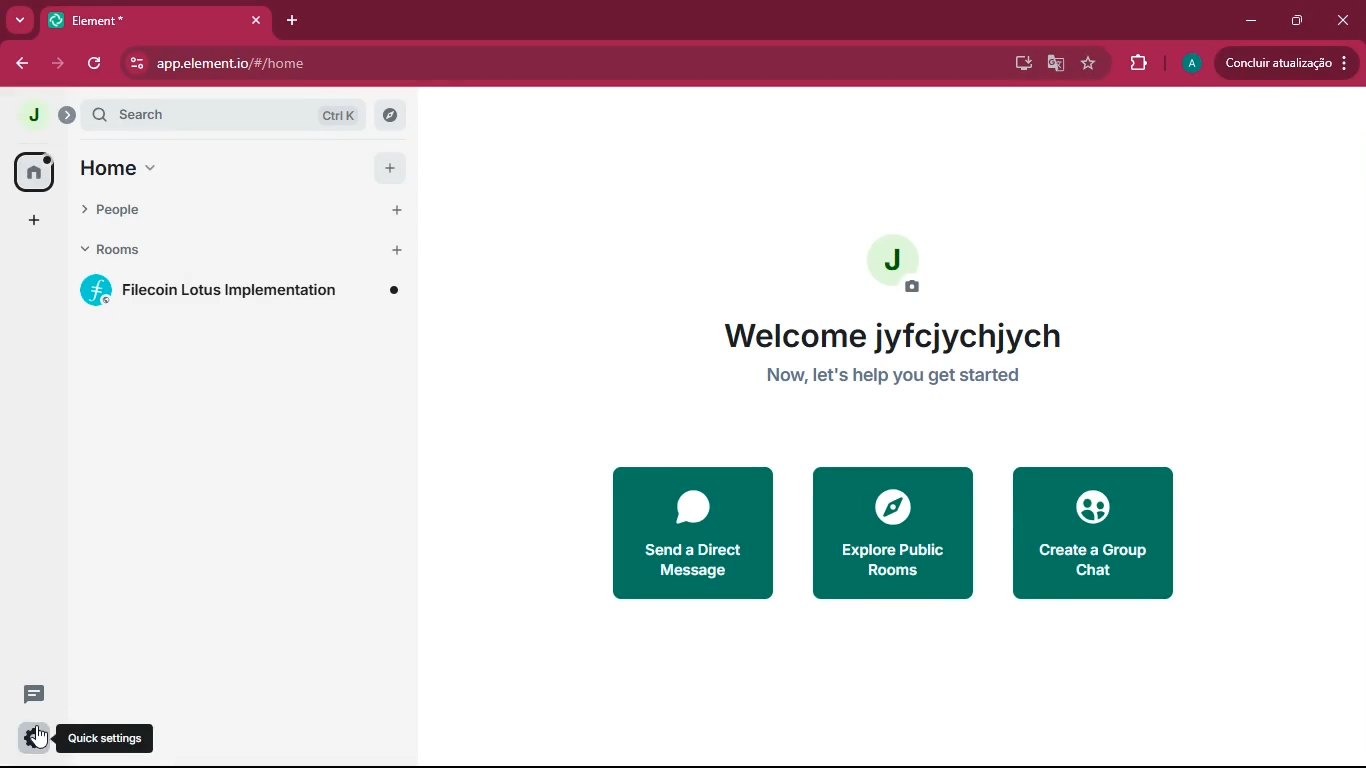 The image size is (1366, 768). I want to click on send message, so click(689, 533).